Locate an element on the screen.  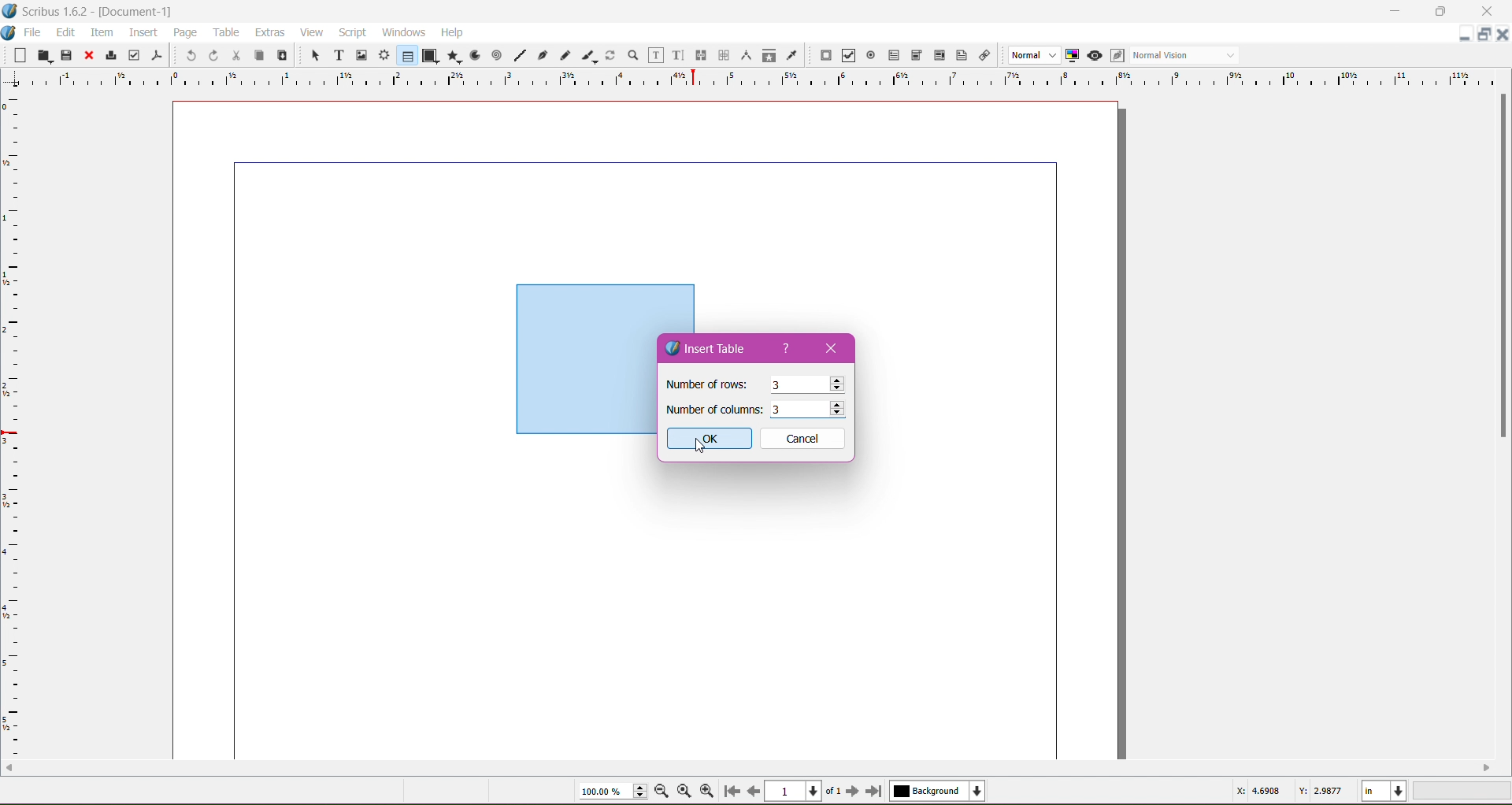
Text Annotation is located at coordinates (959, 53).